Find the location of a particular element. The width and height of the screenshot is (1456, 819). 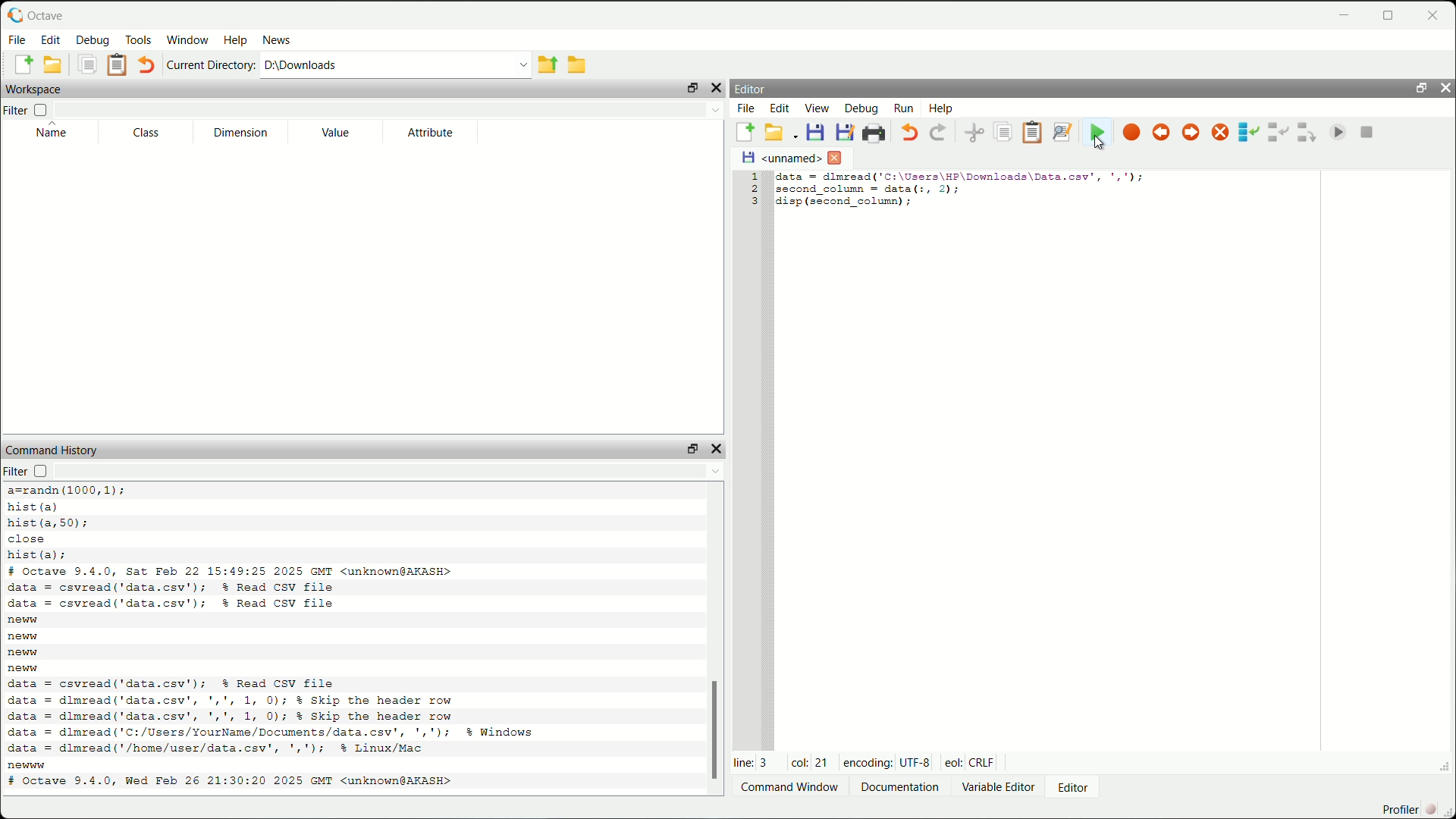

attribute is located at coordinates (431, 133).